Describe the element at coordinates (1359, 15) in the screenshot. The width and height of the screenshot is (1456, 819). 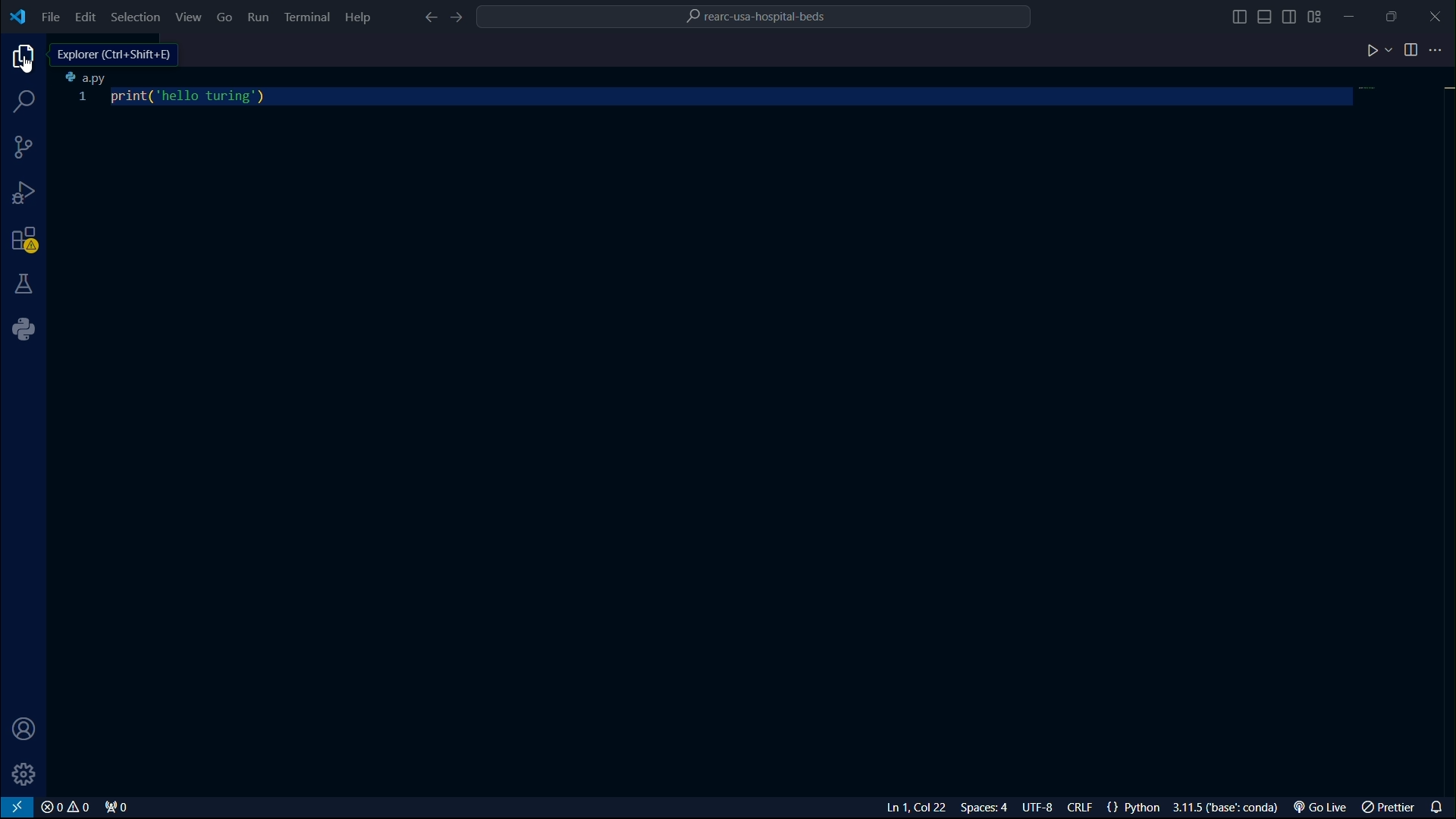
I see `minimize` at that location.